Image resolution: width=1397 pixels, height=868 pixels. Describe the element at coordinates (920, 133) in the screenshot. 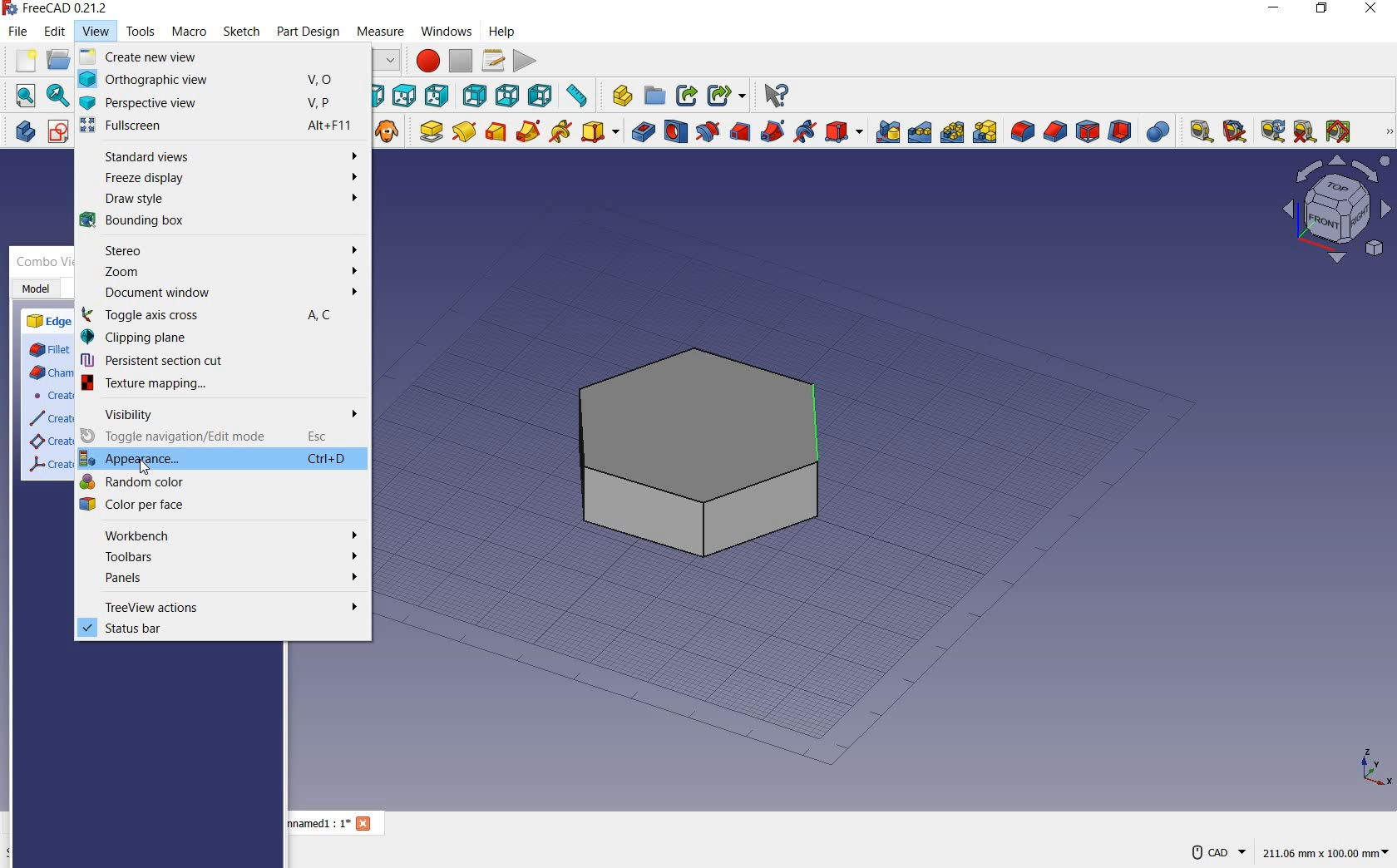

I see `linear pattern` at that location.